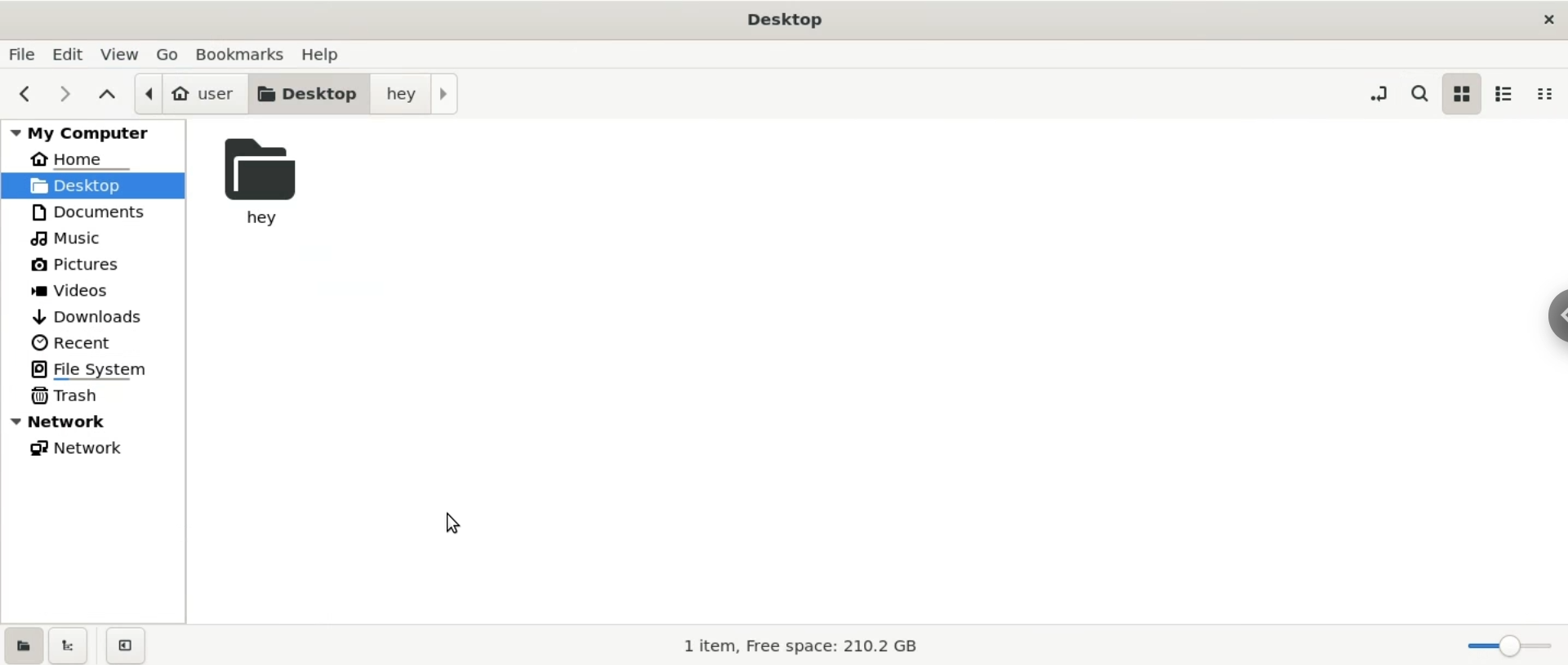  Describe the element at coordinates (100, 368) in the screenshot. I see `file system` at that location.